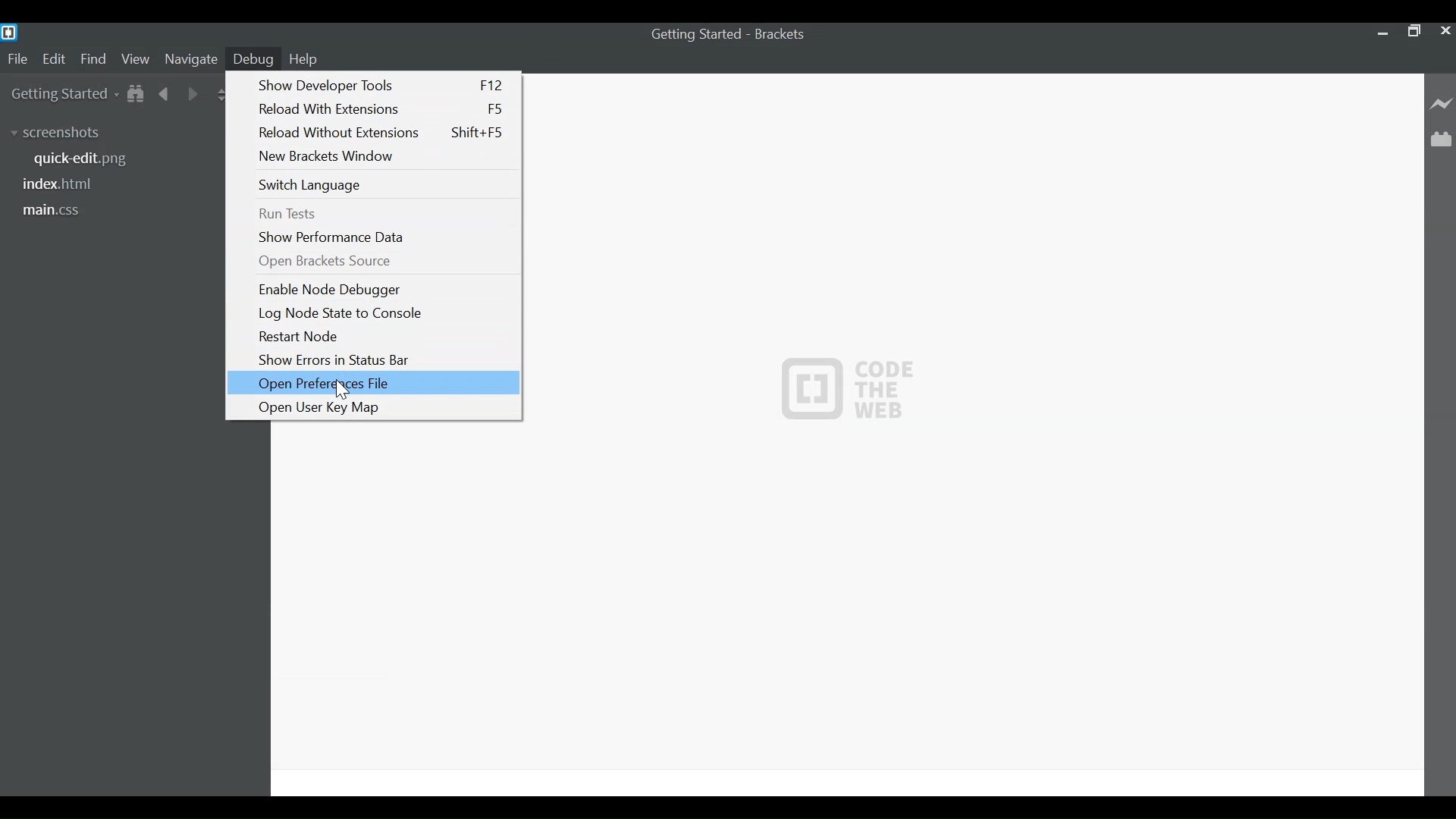  I want to click on Open User Key Map, so click(384, 407).